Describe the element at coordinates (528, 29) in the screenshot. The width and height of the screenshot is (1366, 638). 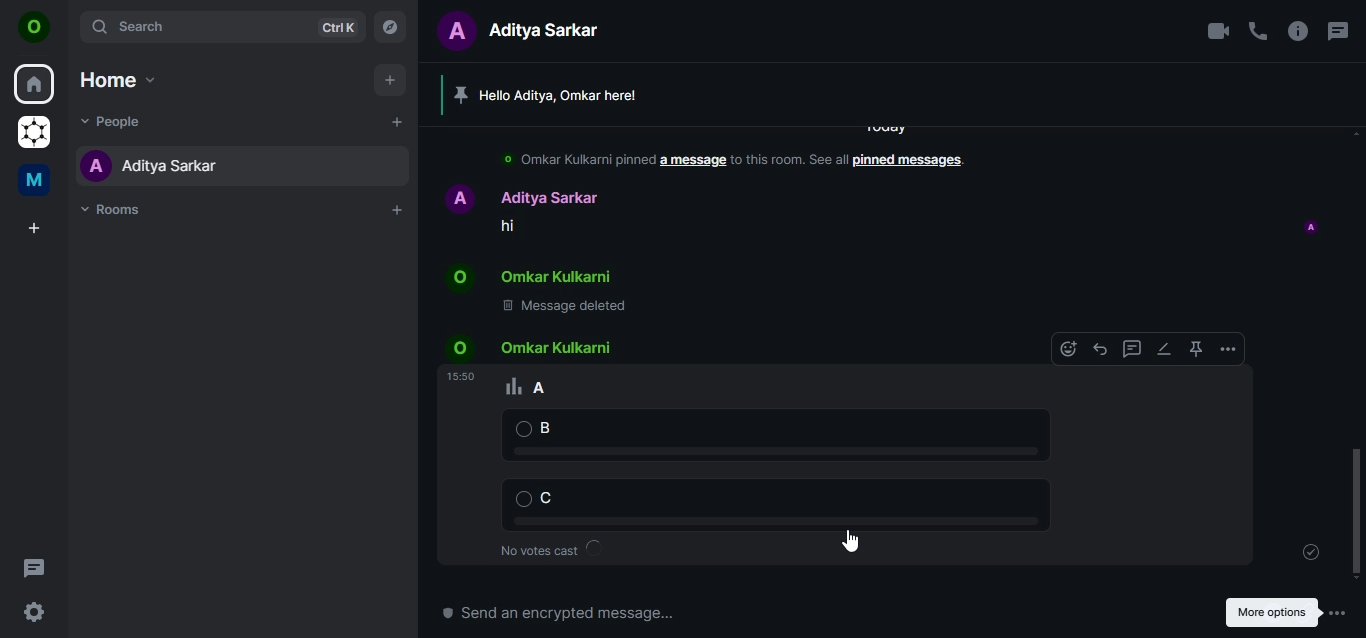
I see `aditya sarkar` at that location.